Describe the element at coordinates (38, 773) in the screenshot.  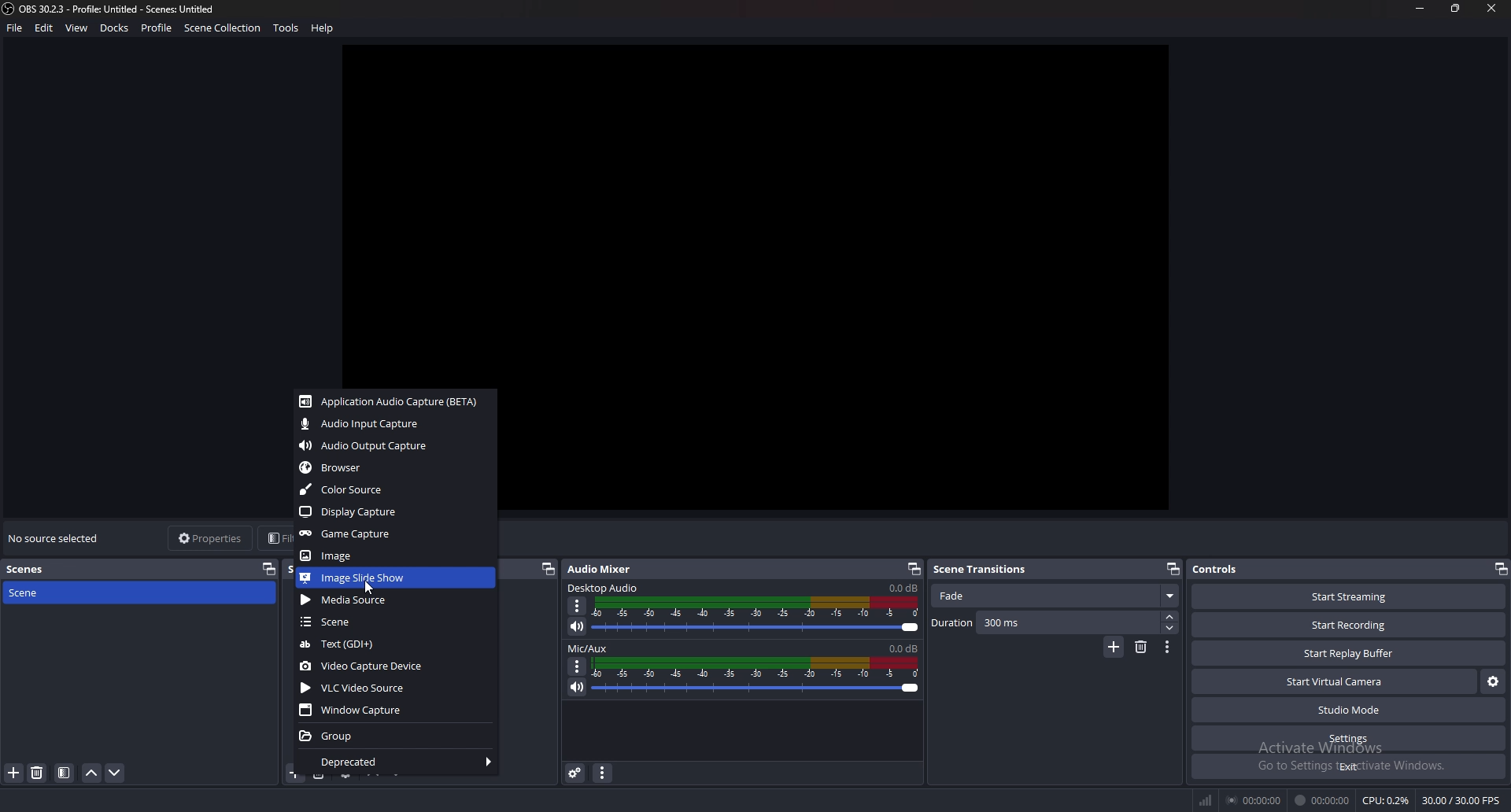
I see `remove scene` at that location.